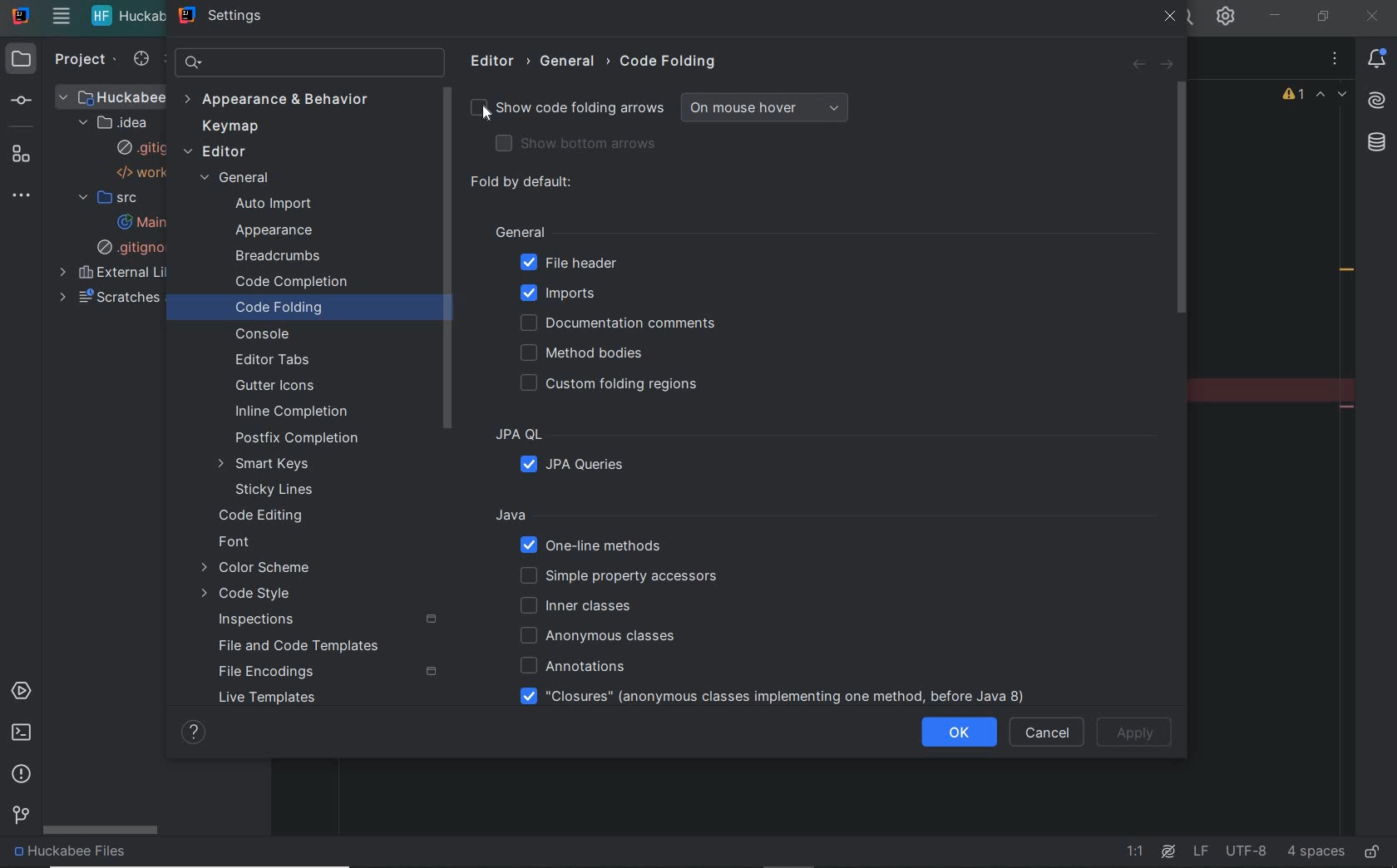 This screenshot has width=1397, height=868. What do you see at coordinates (1141, 731) in the screenshot?
I see `APPLY` at bounding box center [1141, 731].